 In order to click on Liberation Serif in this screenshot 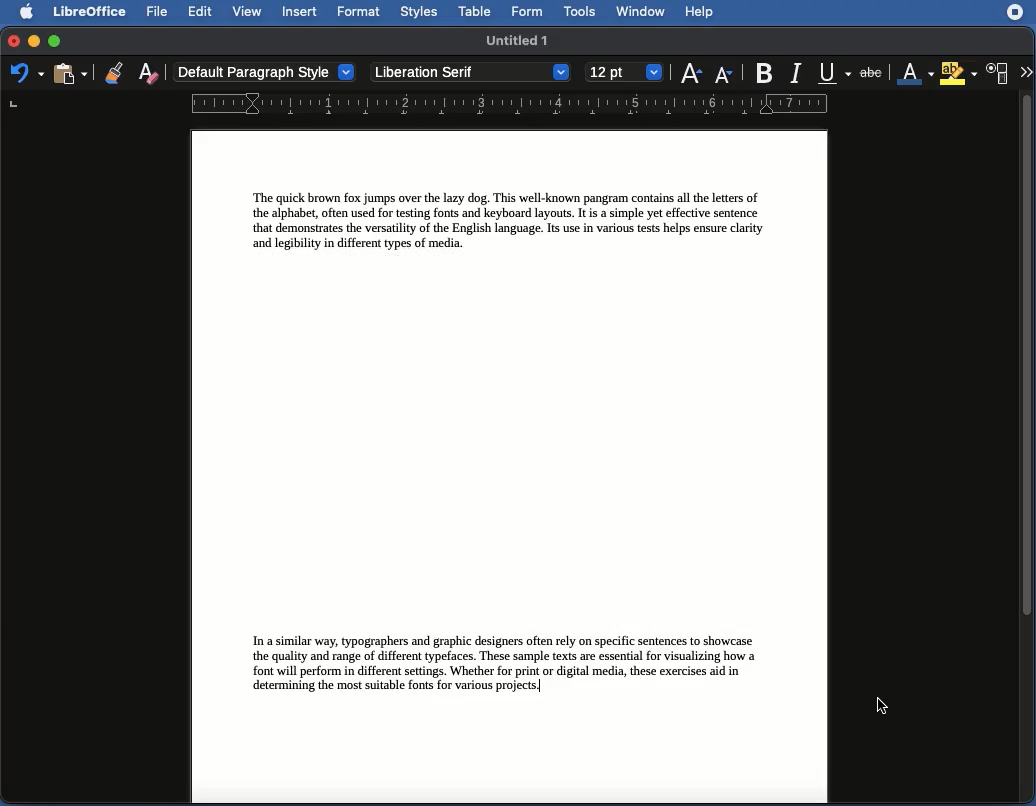, I will do `click(470, 73)`.